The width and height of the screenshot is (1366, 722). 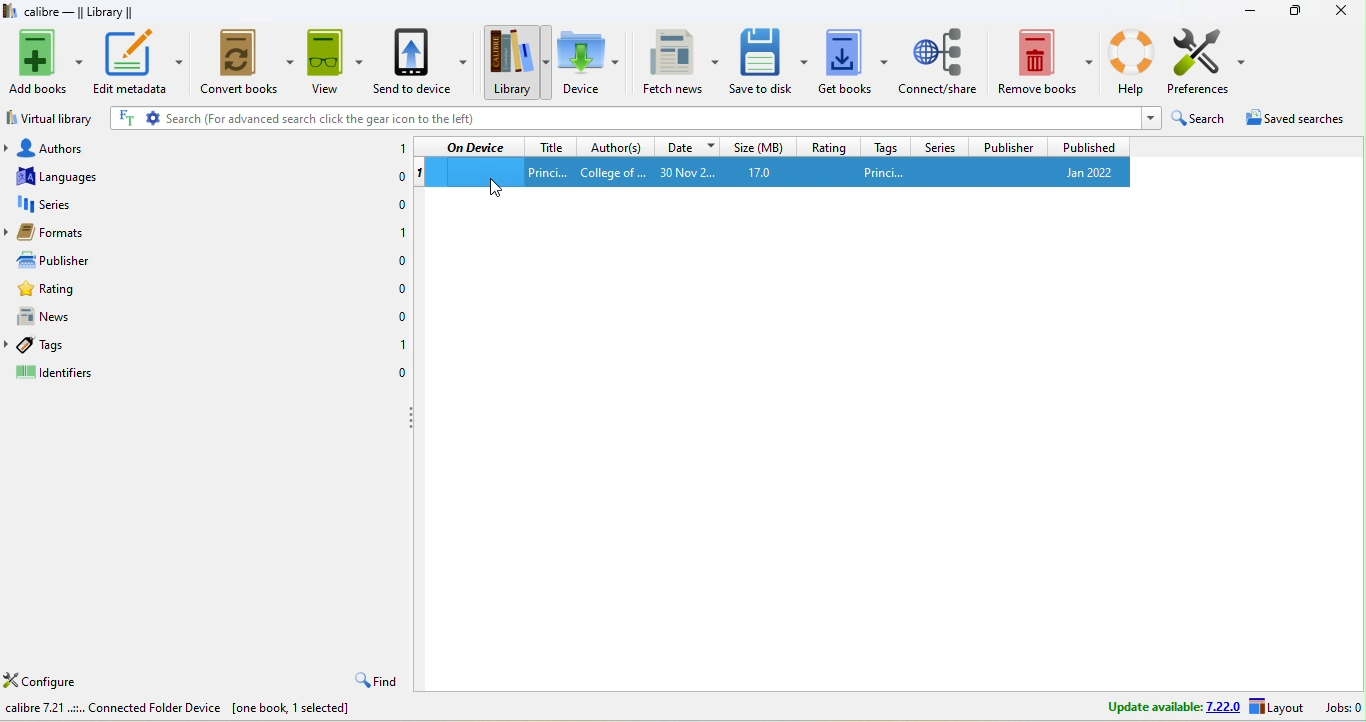 I want to click on princi, so click(x=923, y=171).